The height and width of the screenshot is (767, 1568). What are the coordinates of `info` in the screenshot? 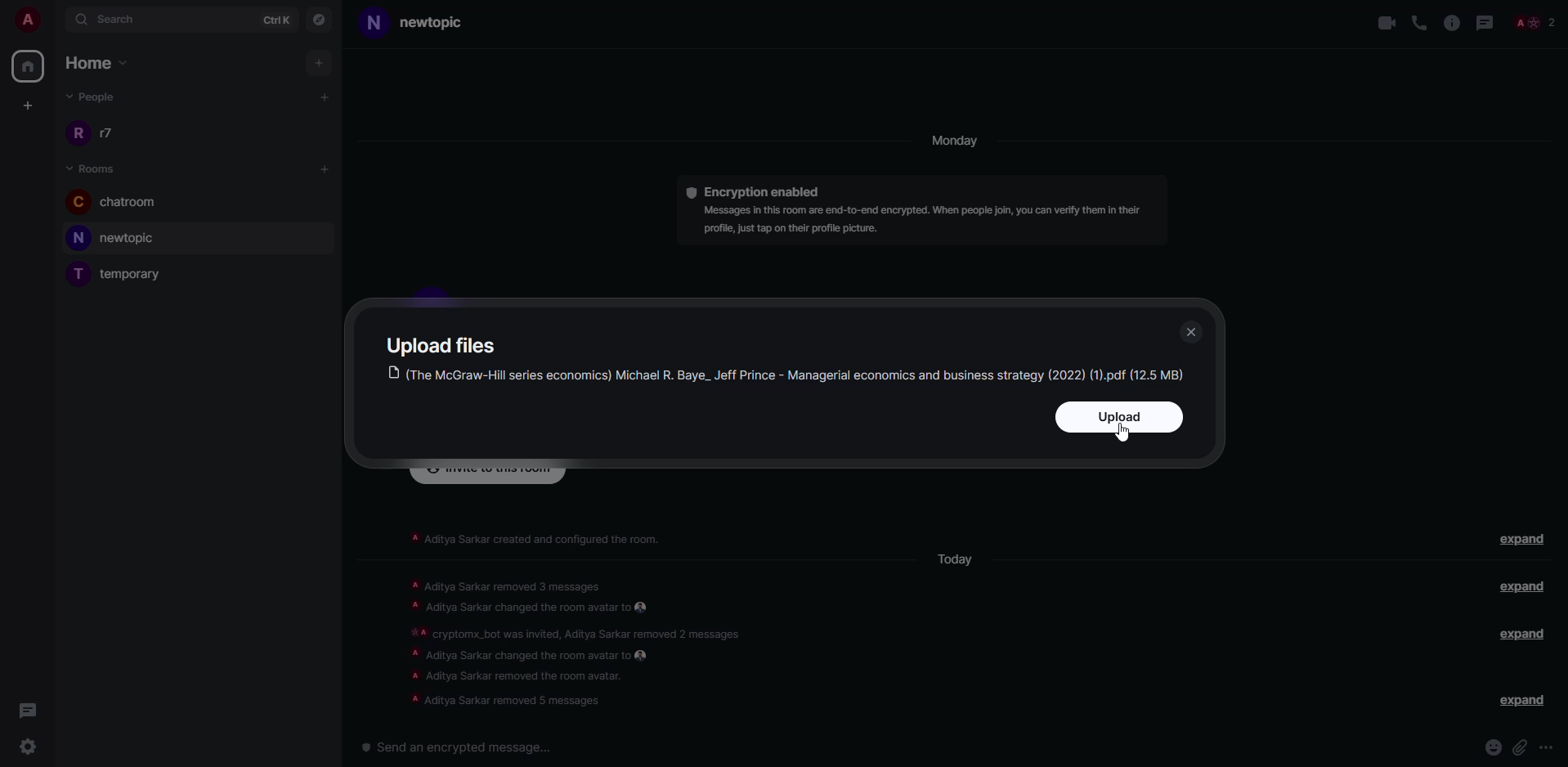 It's located at (929, 218).